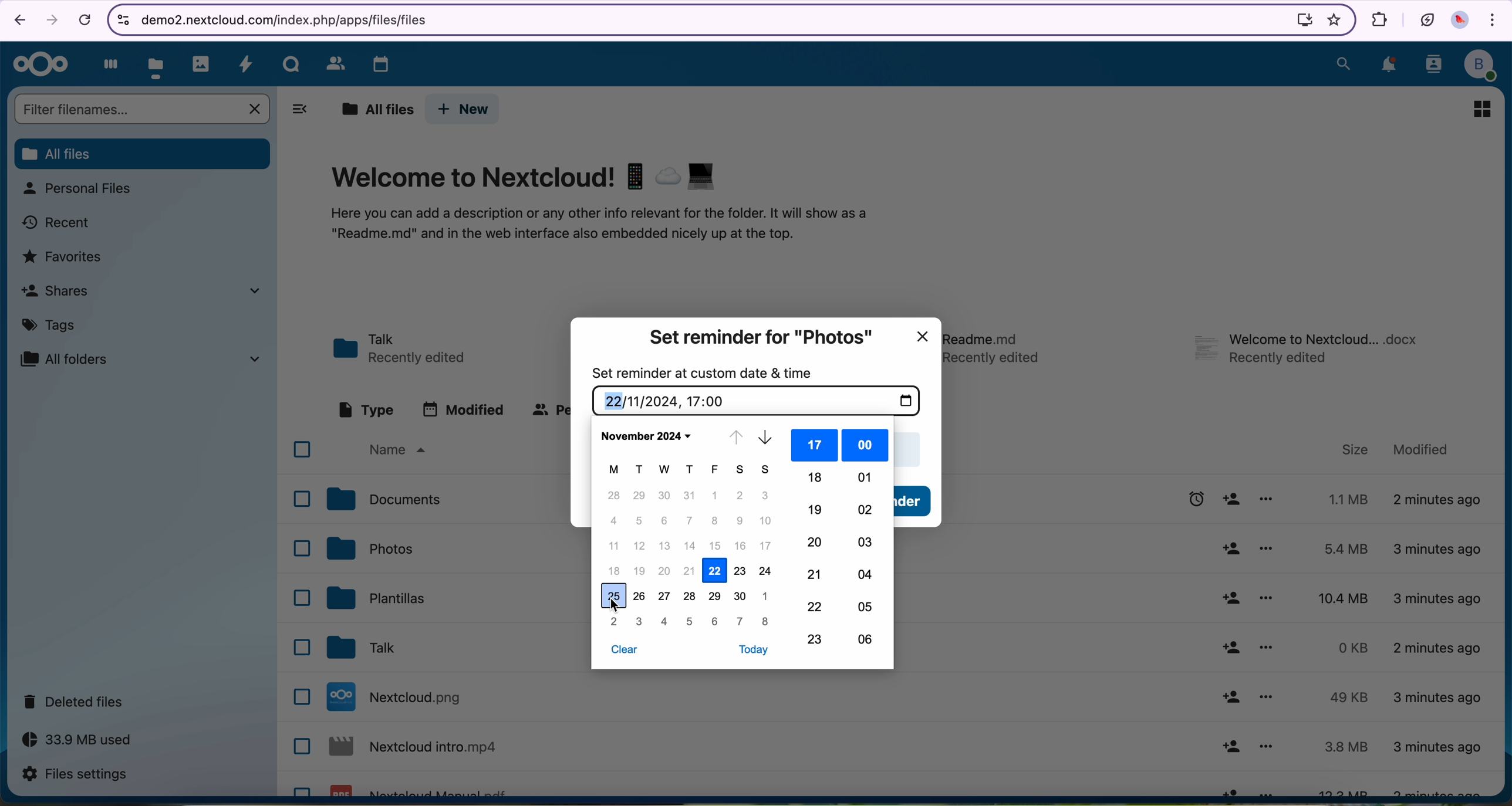 The height and width of the screenshot is (806, 1512). I want to click on type, so click(365, 409).